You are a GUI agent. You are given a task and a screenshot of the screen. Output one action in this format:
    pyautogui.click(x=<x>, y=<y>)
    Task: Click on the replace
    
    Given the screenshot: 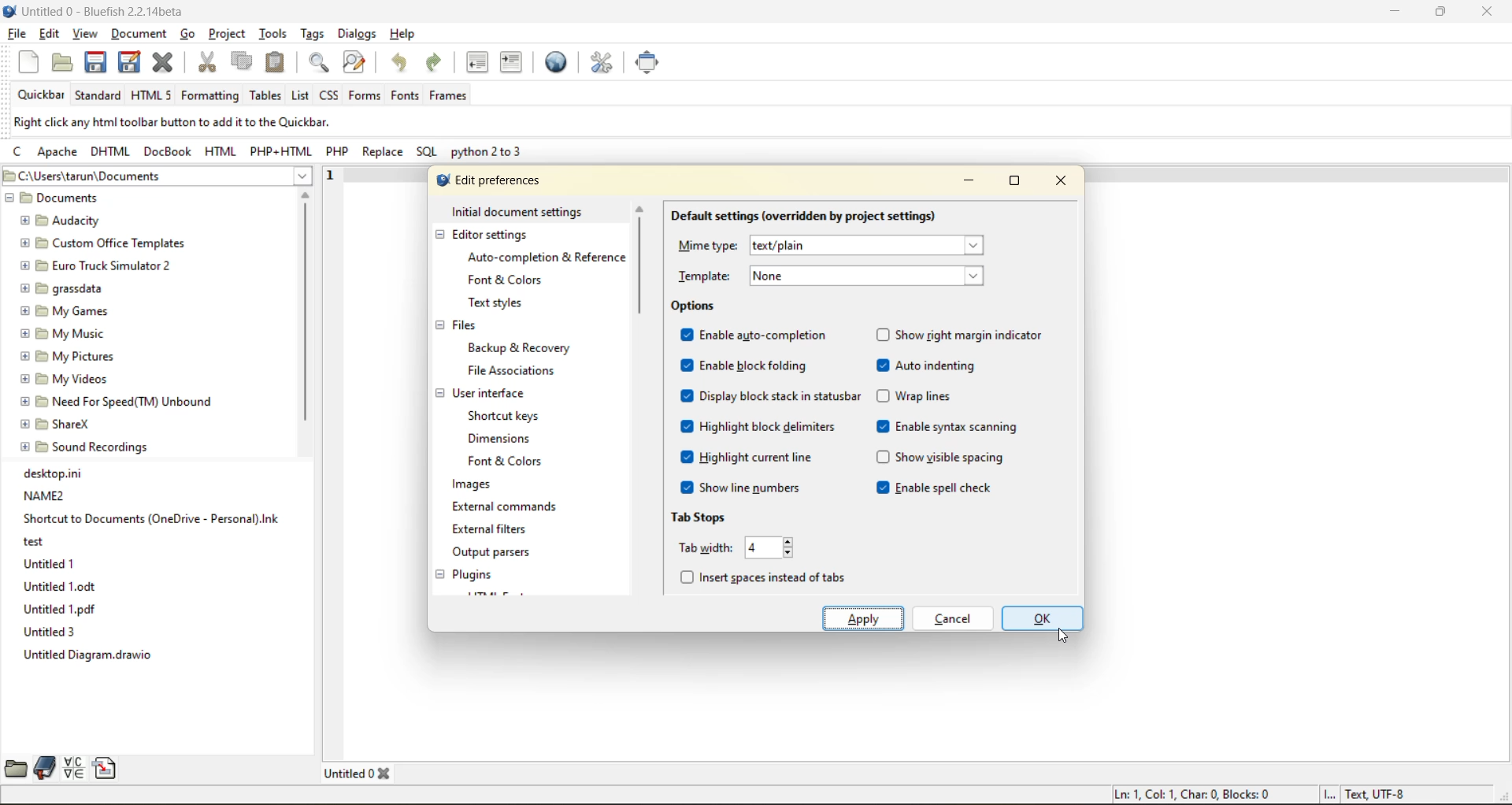 What is the action you would take?
    pyautogui.click(x=387, y=154)
    